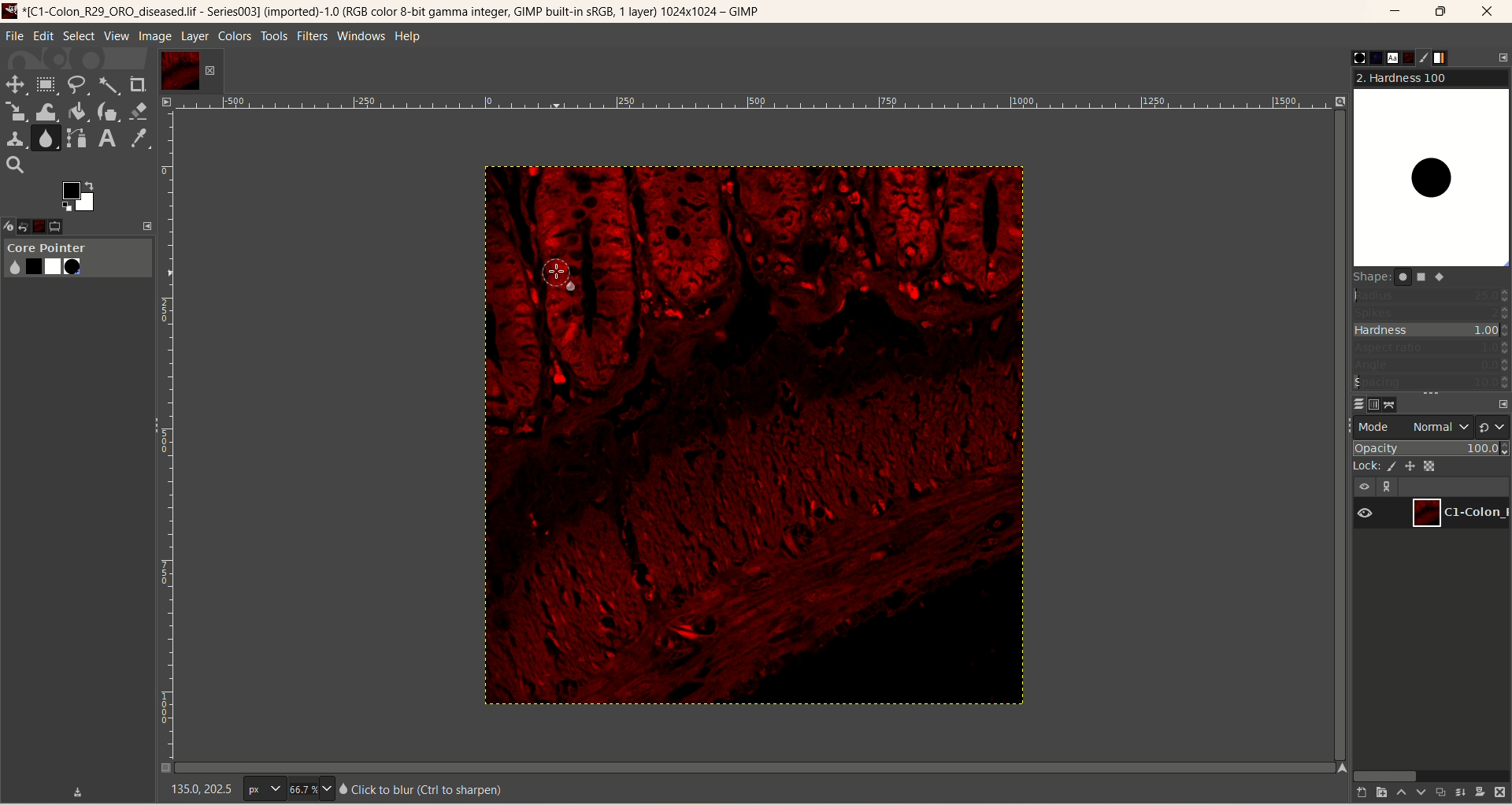 Image resolution: width=1512 pixels, height=805 pixels. Describe the element at coordinates (561, 275) in the screenshot. I see `cursor` at that location.